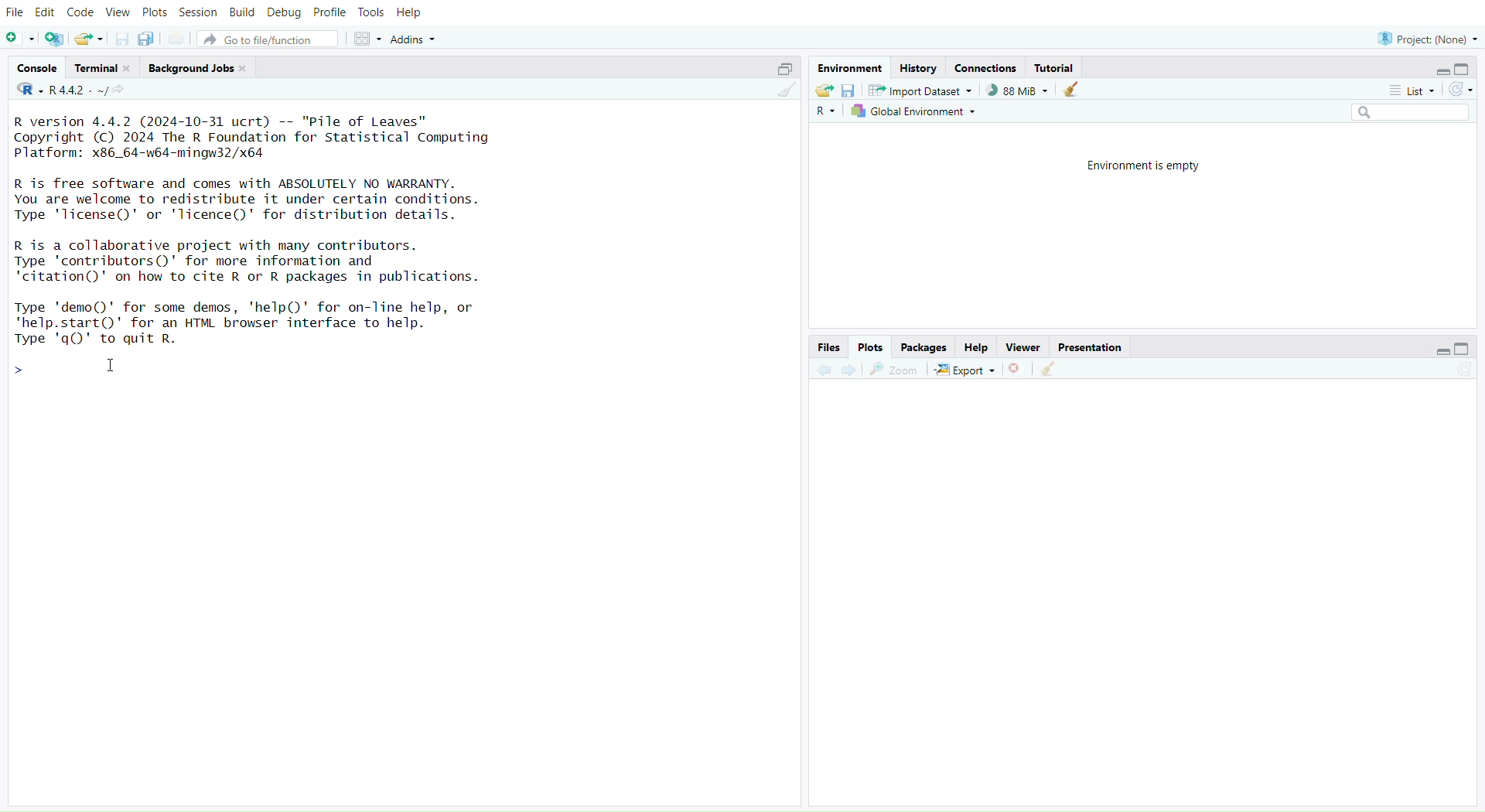 This screenshot has width=1485, height=812. I want to click on tools, so click(372, 12).